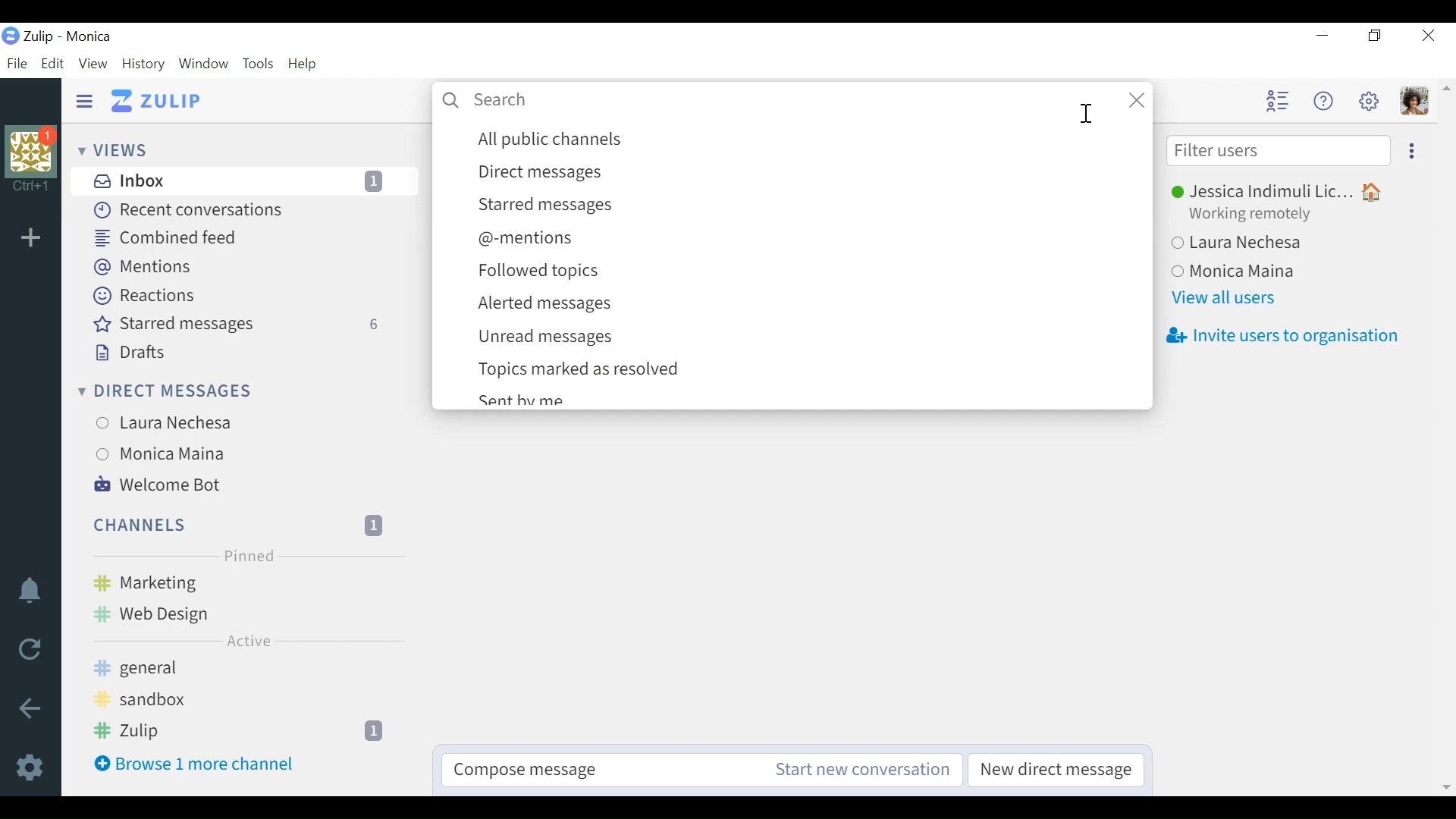  What do you see at coordinates (196, 763) in the screenshot?
I see `Browse 1 more channel` at bounding box center [196, 763].